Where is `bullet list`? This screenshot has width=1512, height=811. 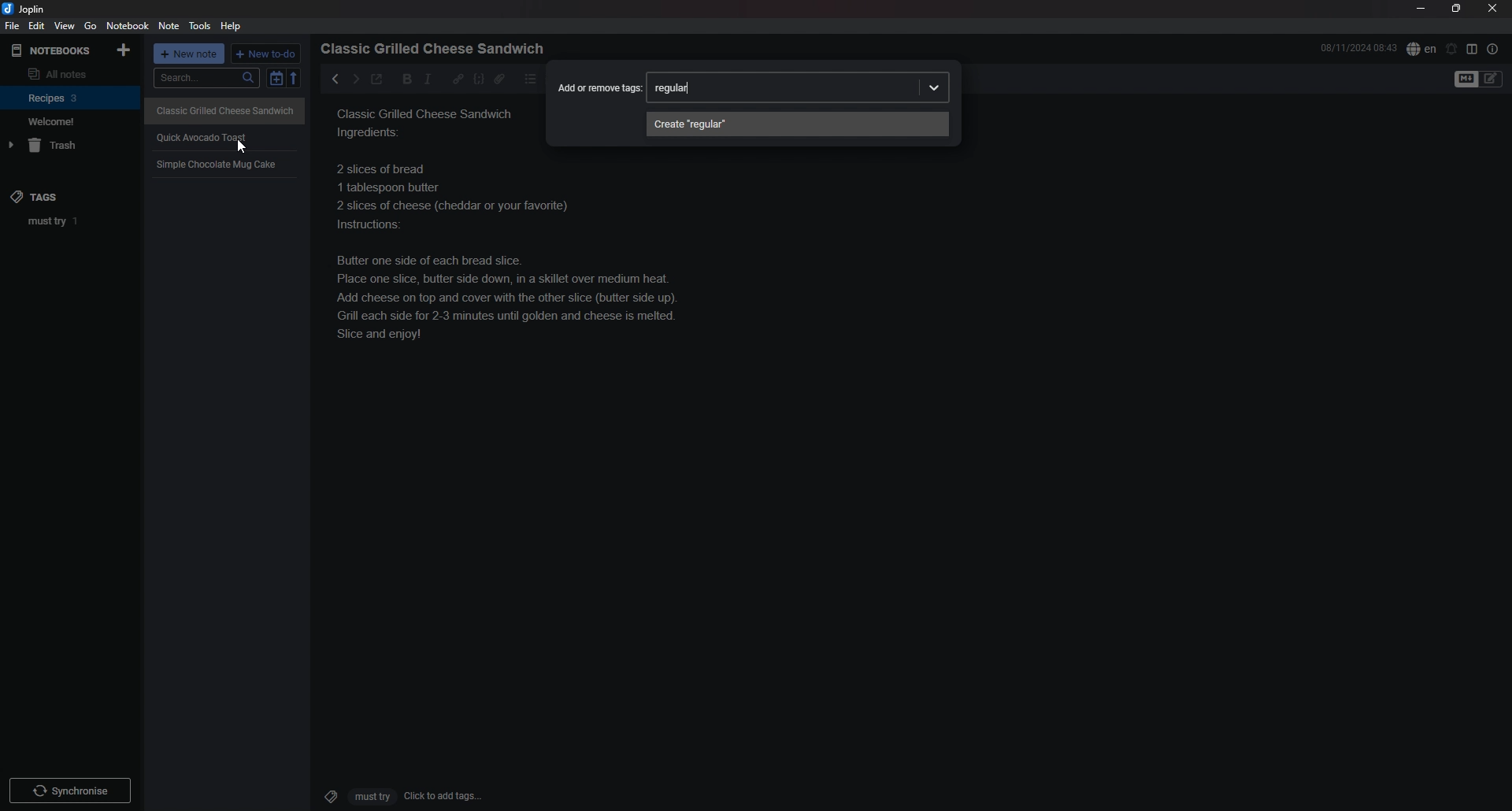
bullet list is located at coordinates (531, 79).